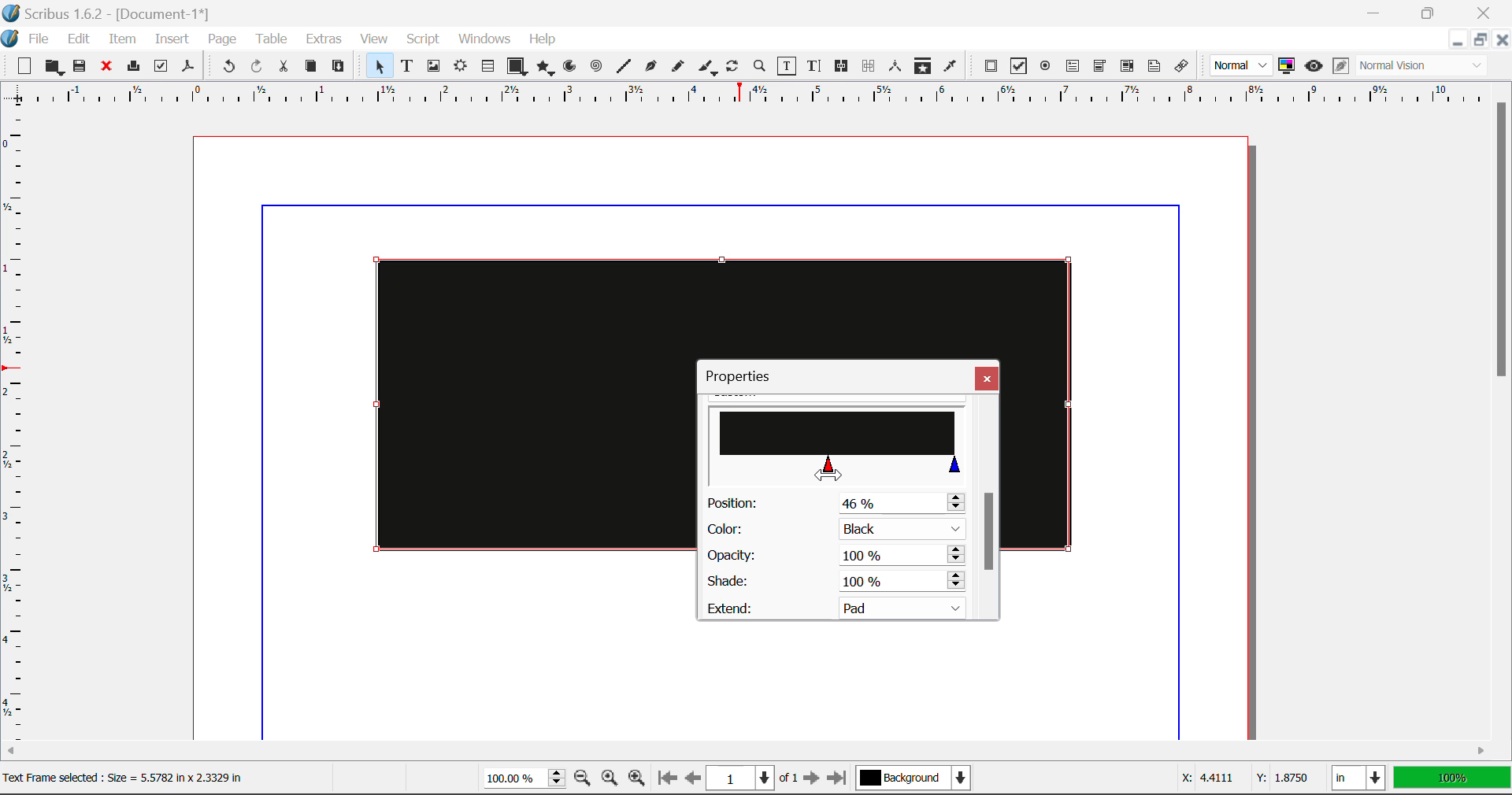 The image size is (1512, 795). What do you see at coordinates (1073, 66) in the screenshot?
I see `PDF Text Fields` at bounding box center [1073, 66].